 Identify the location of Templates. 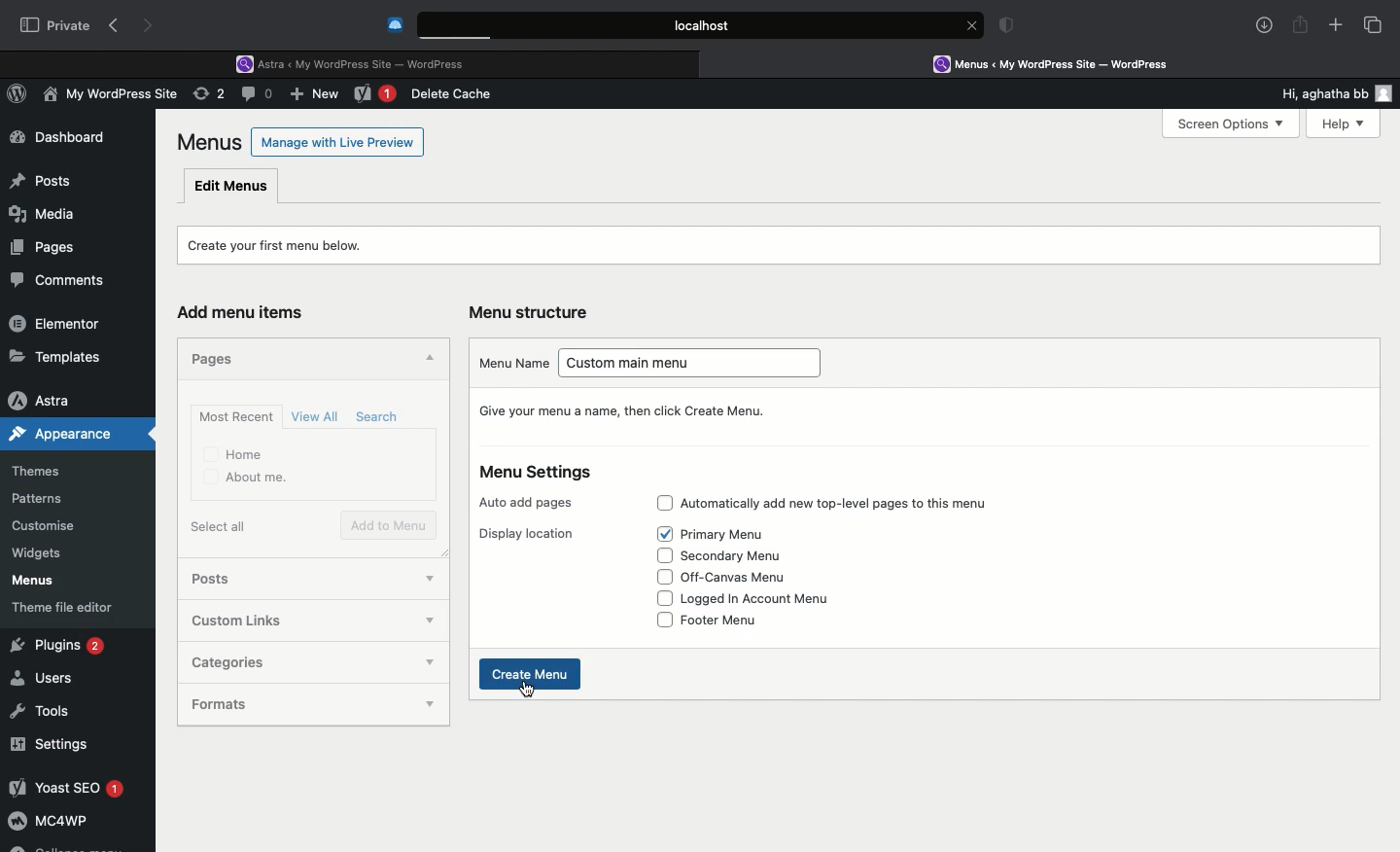
(56, 356).